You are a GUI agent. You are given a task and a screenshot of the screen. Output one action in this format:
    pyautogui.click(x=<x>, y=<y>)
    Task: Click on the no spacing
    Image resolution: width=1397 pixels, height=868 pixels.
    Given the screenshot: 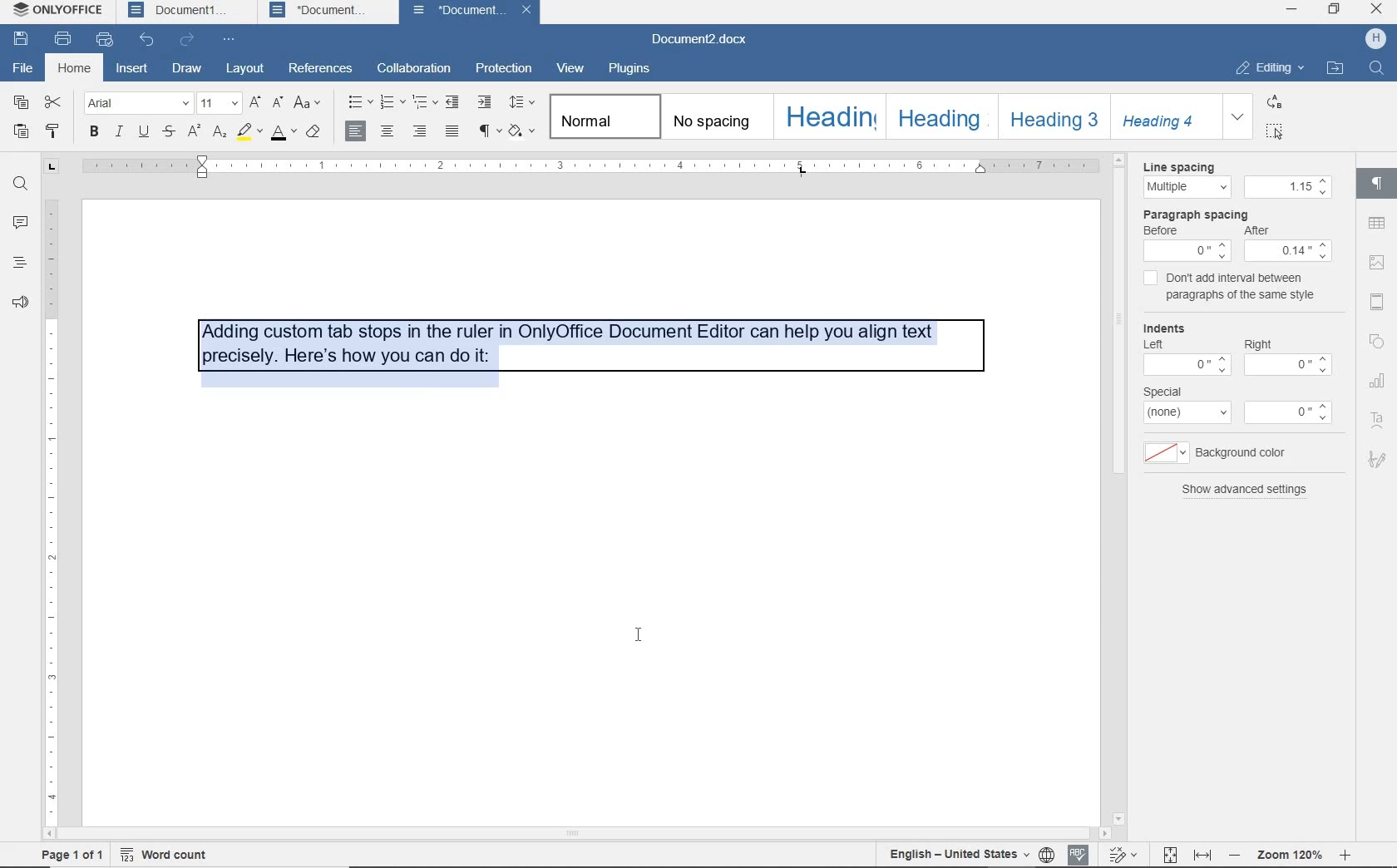 What is the action you would take?
    pyautogui.click(x=713, y=116)
    